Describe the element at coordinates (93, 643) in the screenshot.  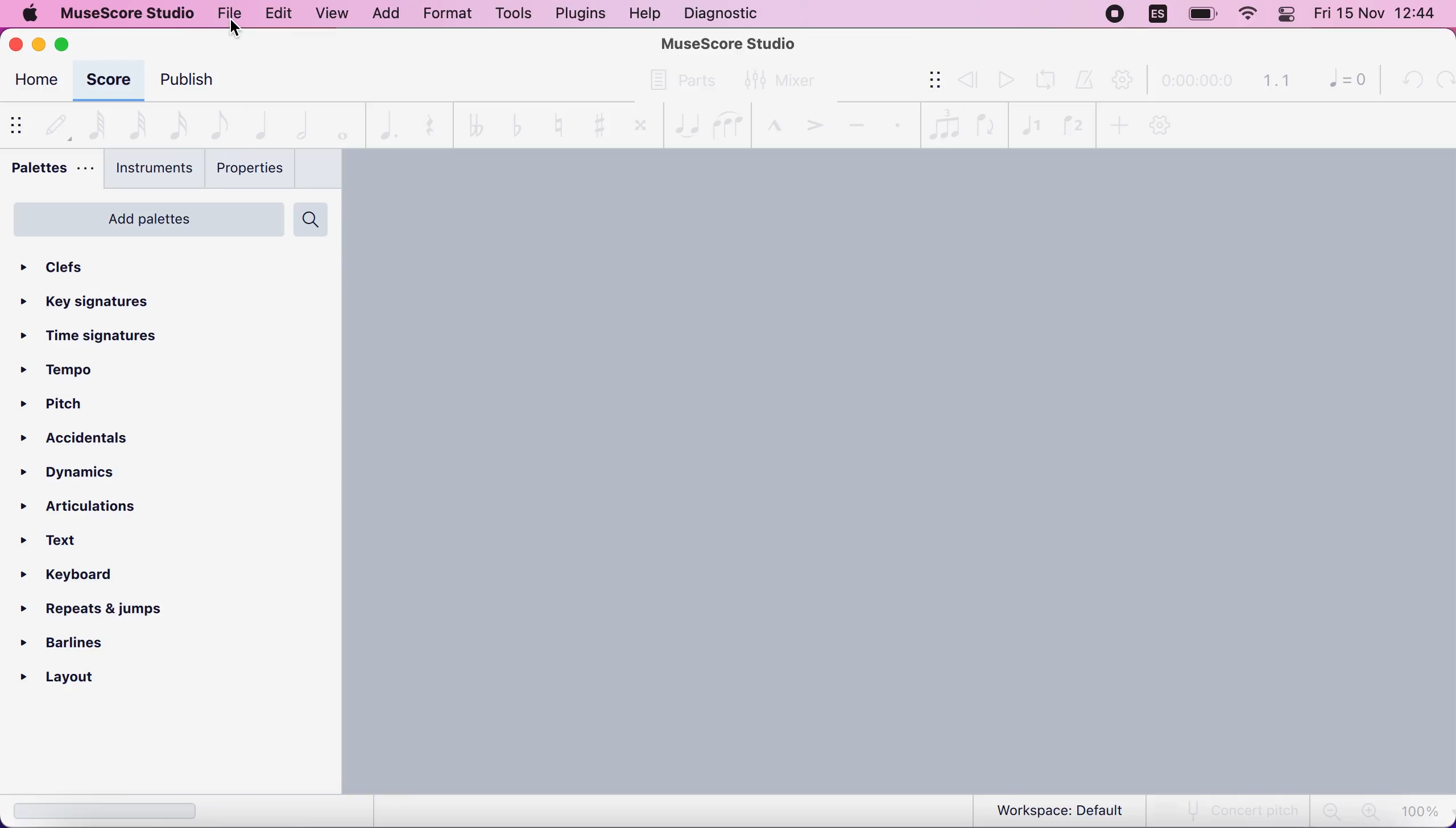
I see `barlines` at that location.